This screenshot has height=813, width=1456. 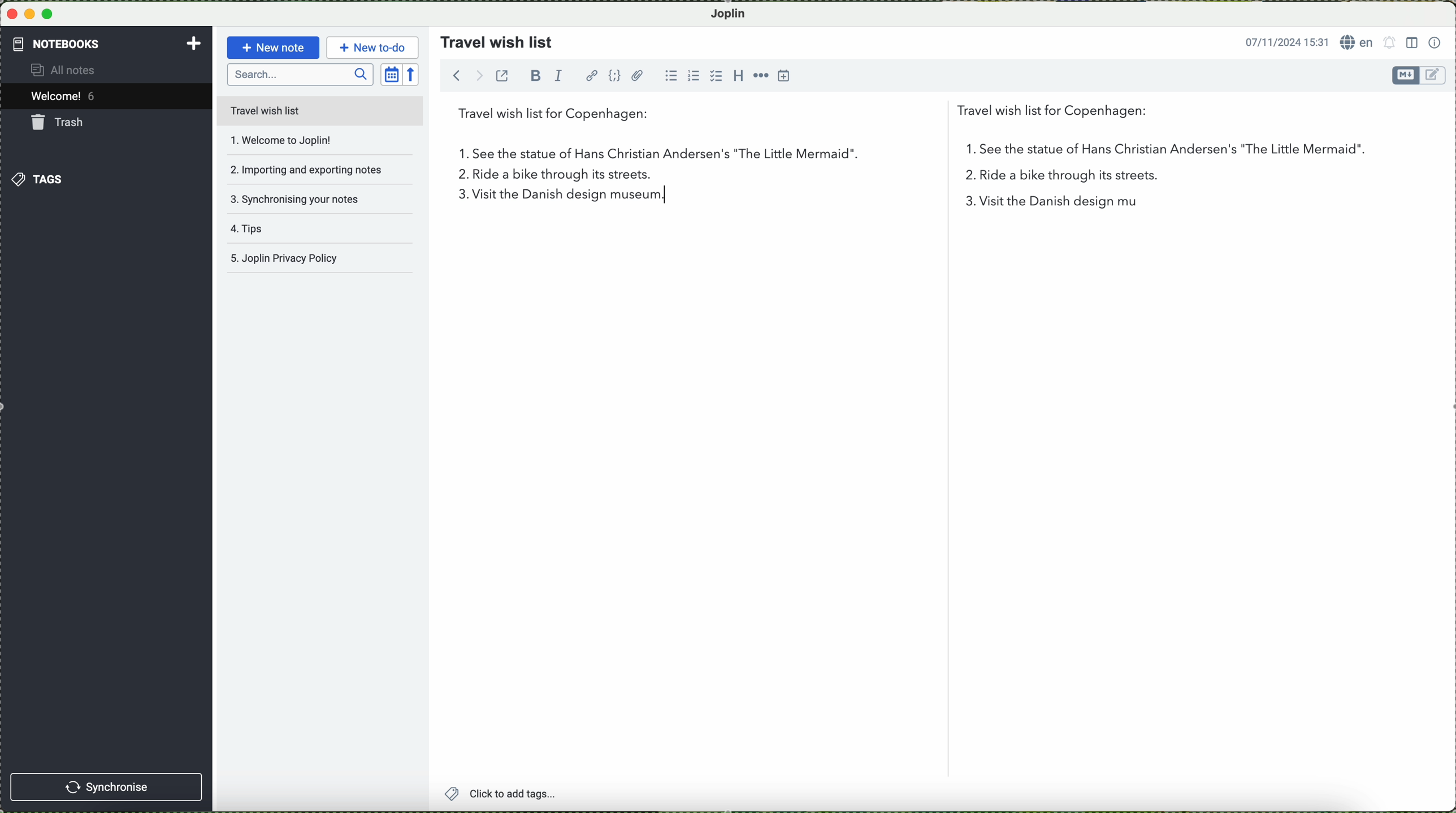 What do you see at coordinates (785, 77) in the screenshot?
I see `insert time` at bounding box center [785, 77].